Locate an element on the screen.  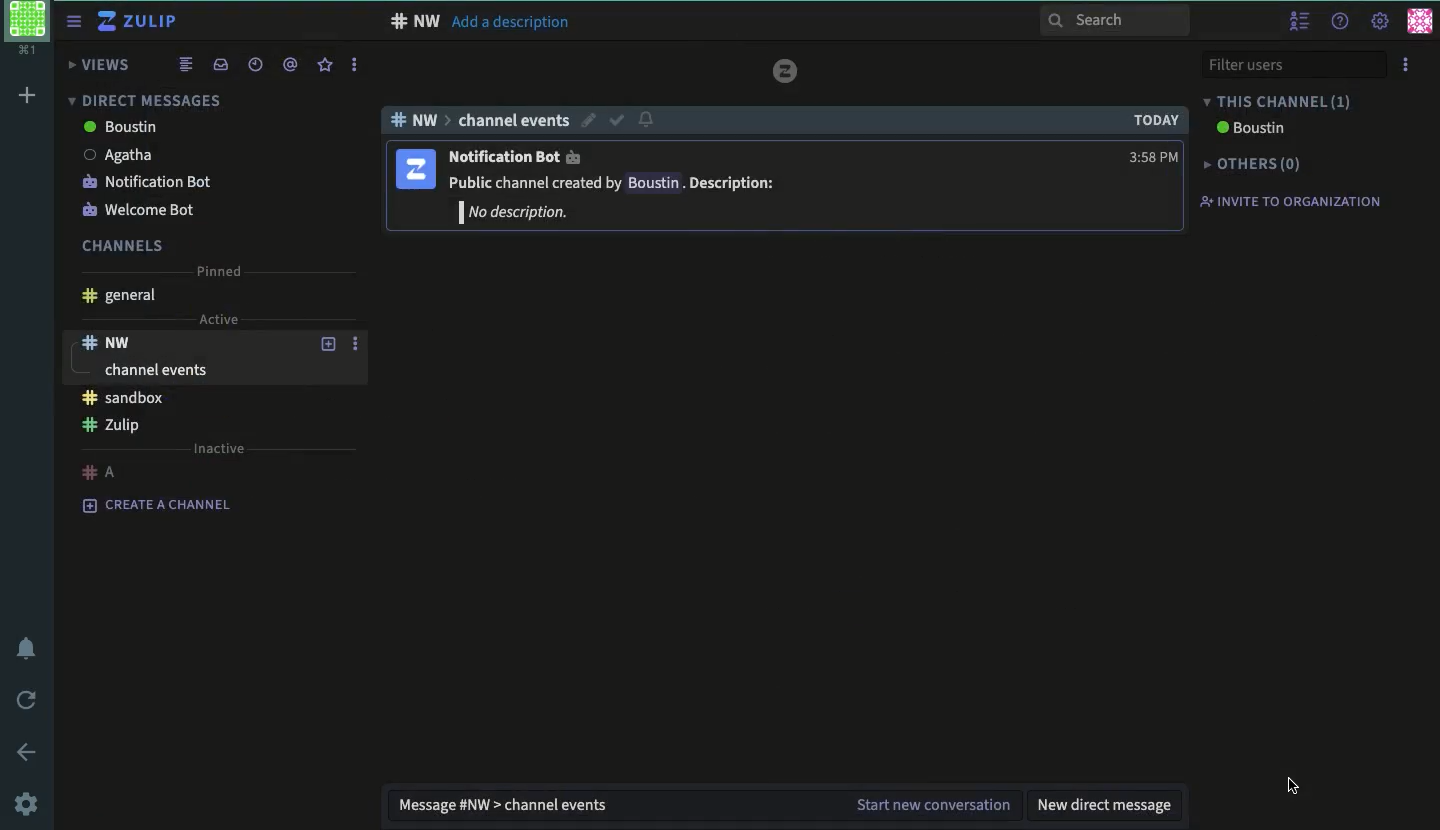
add workspace is located at coordinates (28, 97).